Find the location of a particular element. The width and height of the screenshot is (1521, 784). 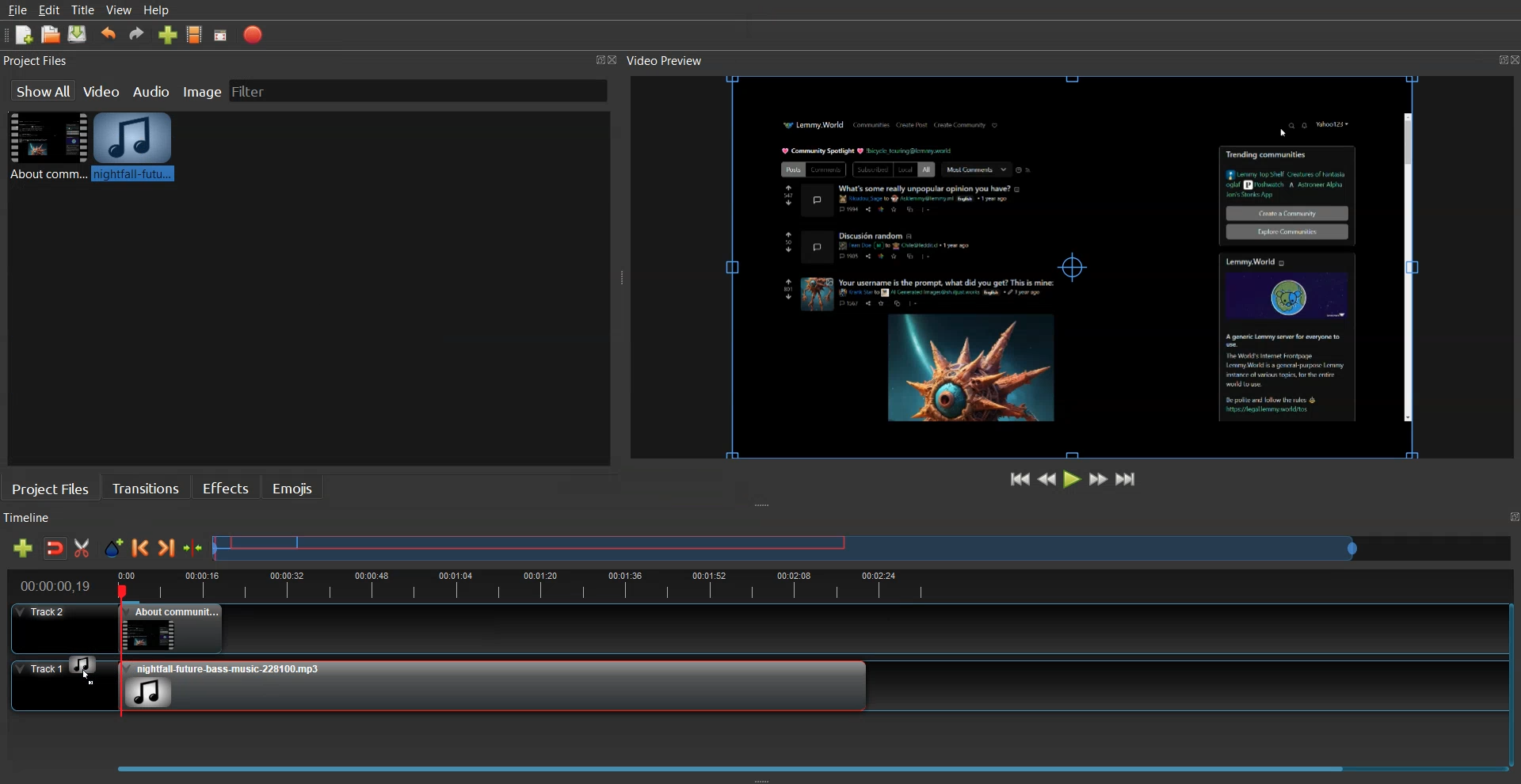

Undo is located at coordinates (109, 34).